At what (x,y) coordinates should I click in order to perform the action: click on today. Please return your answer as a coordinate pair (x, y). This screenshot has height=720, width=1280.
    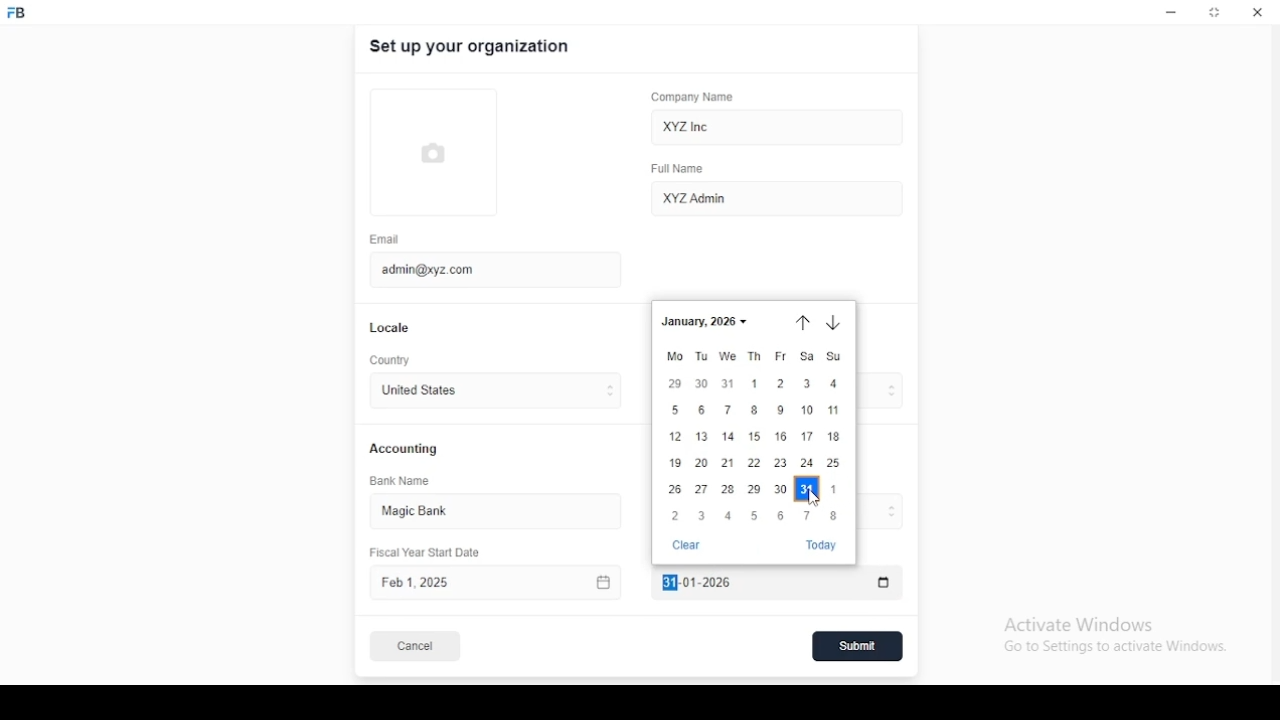
    Looking at the image, I should click on (821, 546).